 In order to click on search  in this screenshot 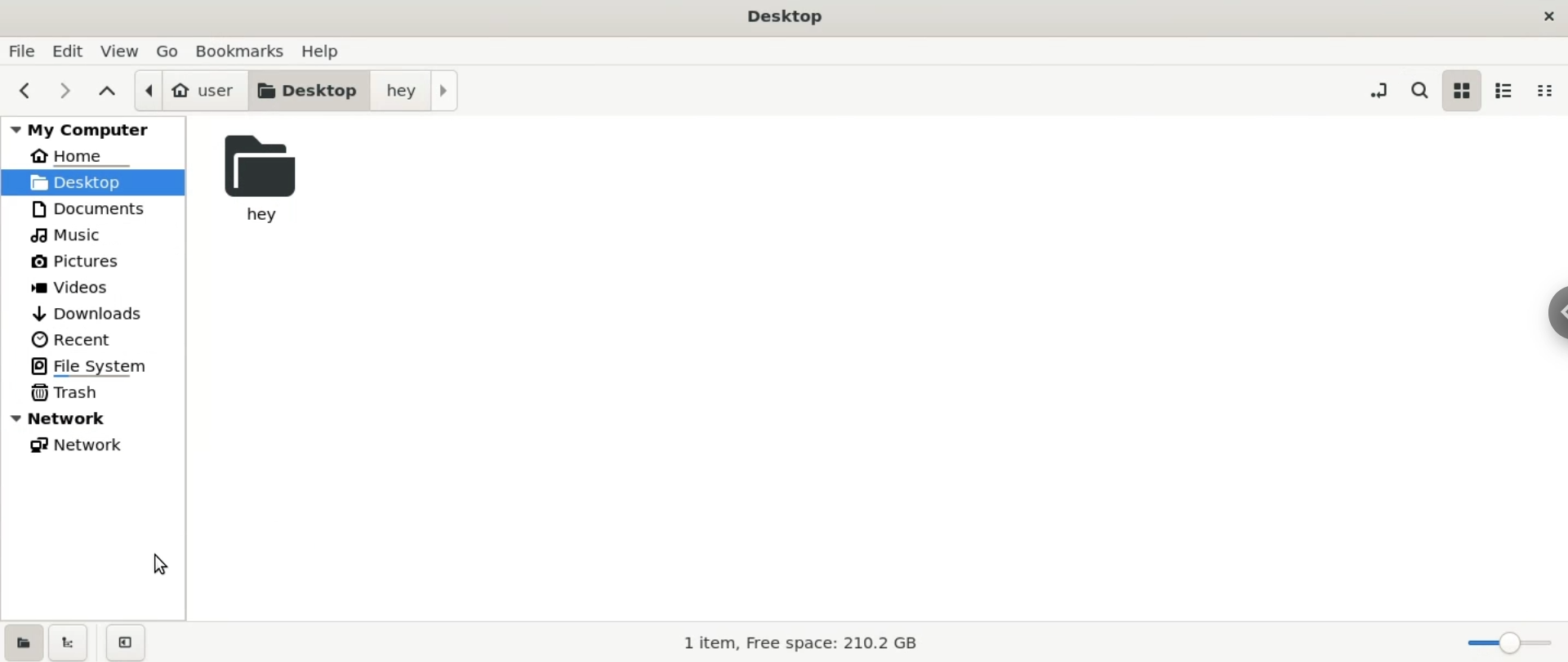, I will do `click(1421, 89)`.